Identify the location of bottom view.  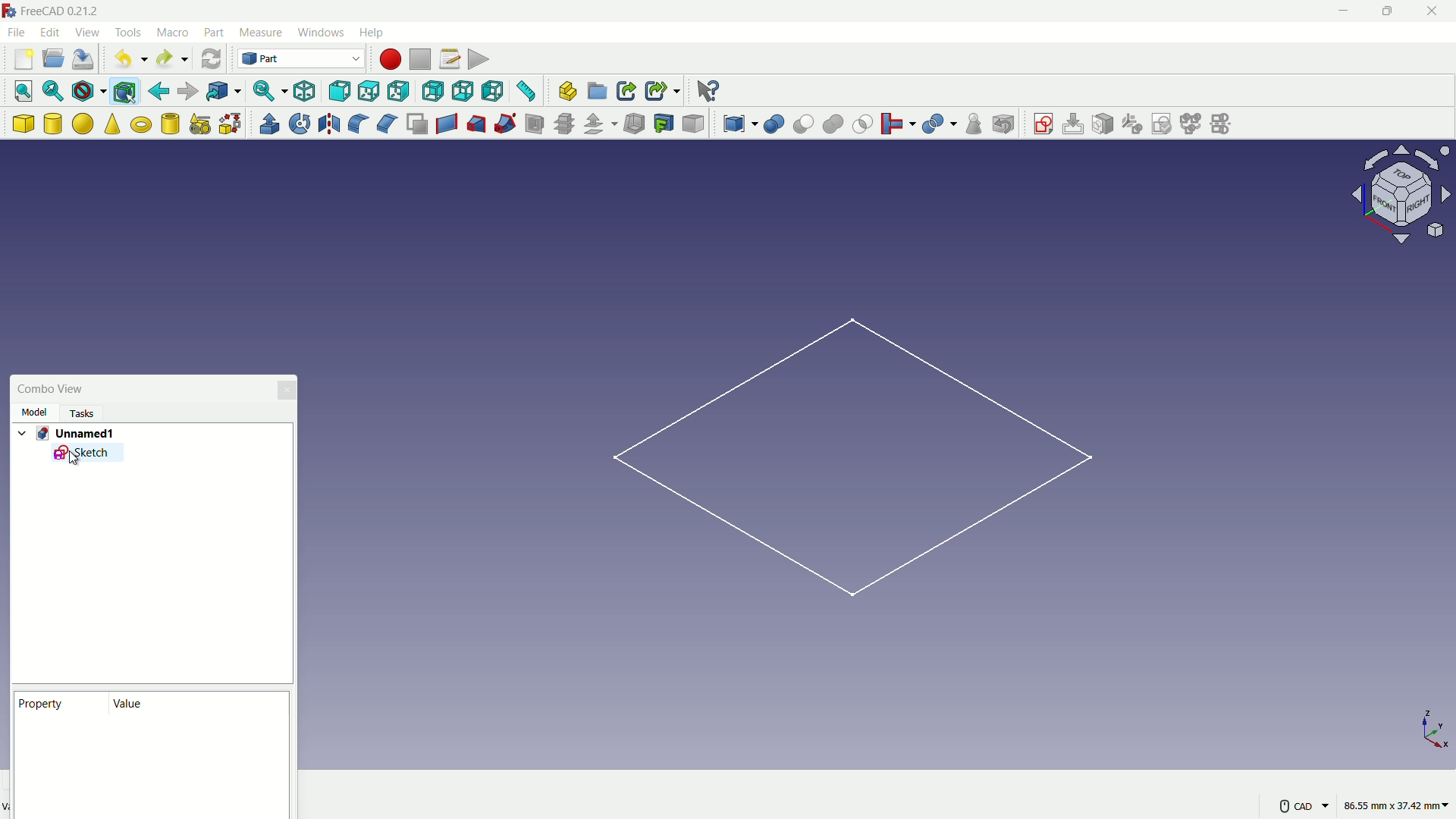
(463, 90).